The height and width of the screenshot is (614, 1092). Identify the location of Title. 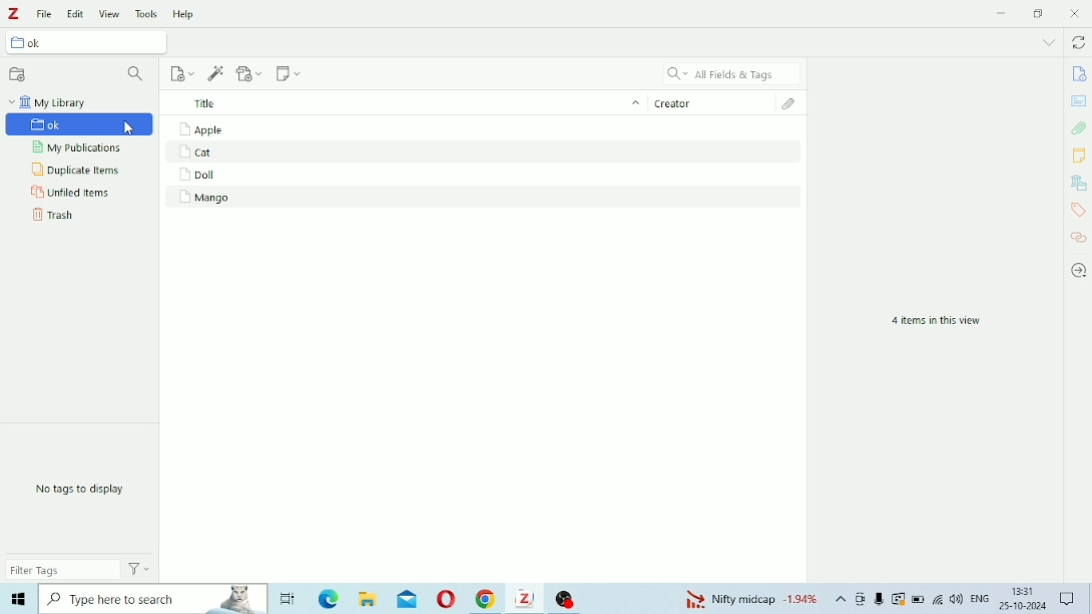
(403, 102).